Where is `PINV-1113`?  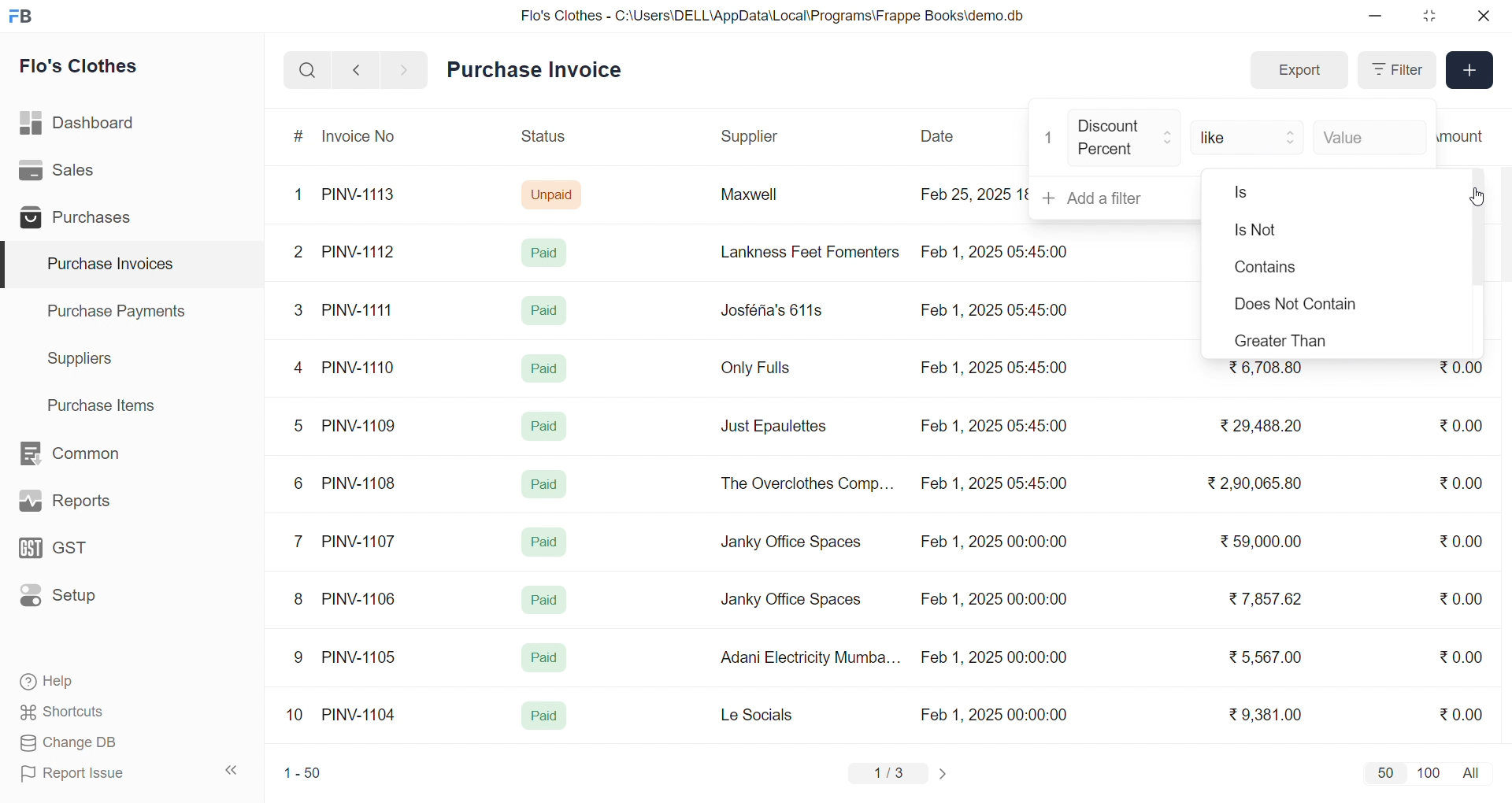
PINV-1113 is located at coordinates (365, 196).